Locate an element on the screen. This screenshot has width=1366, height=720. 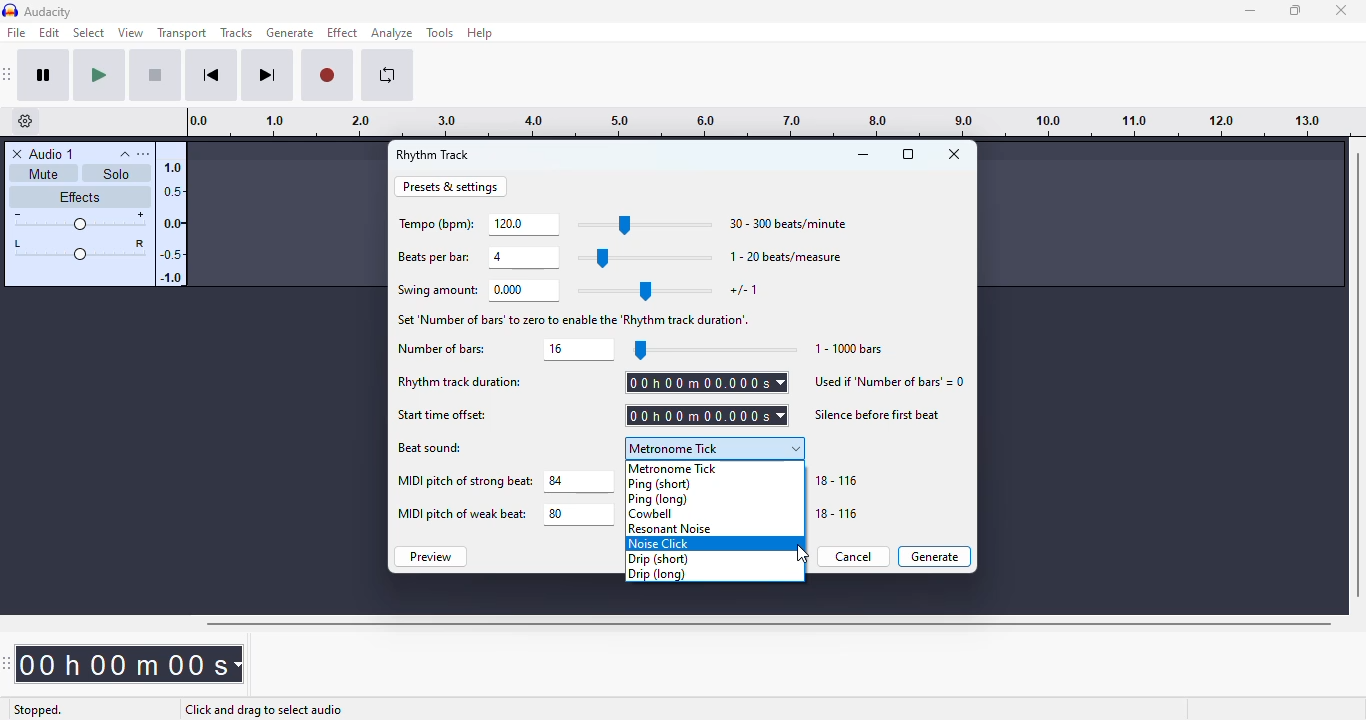
drip (long) is located at coordinates (713, 575).